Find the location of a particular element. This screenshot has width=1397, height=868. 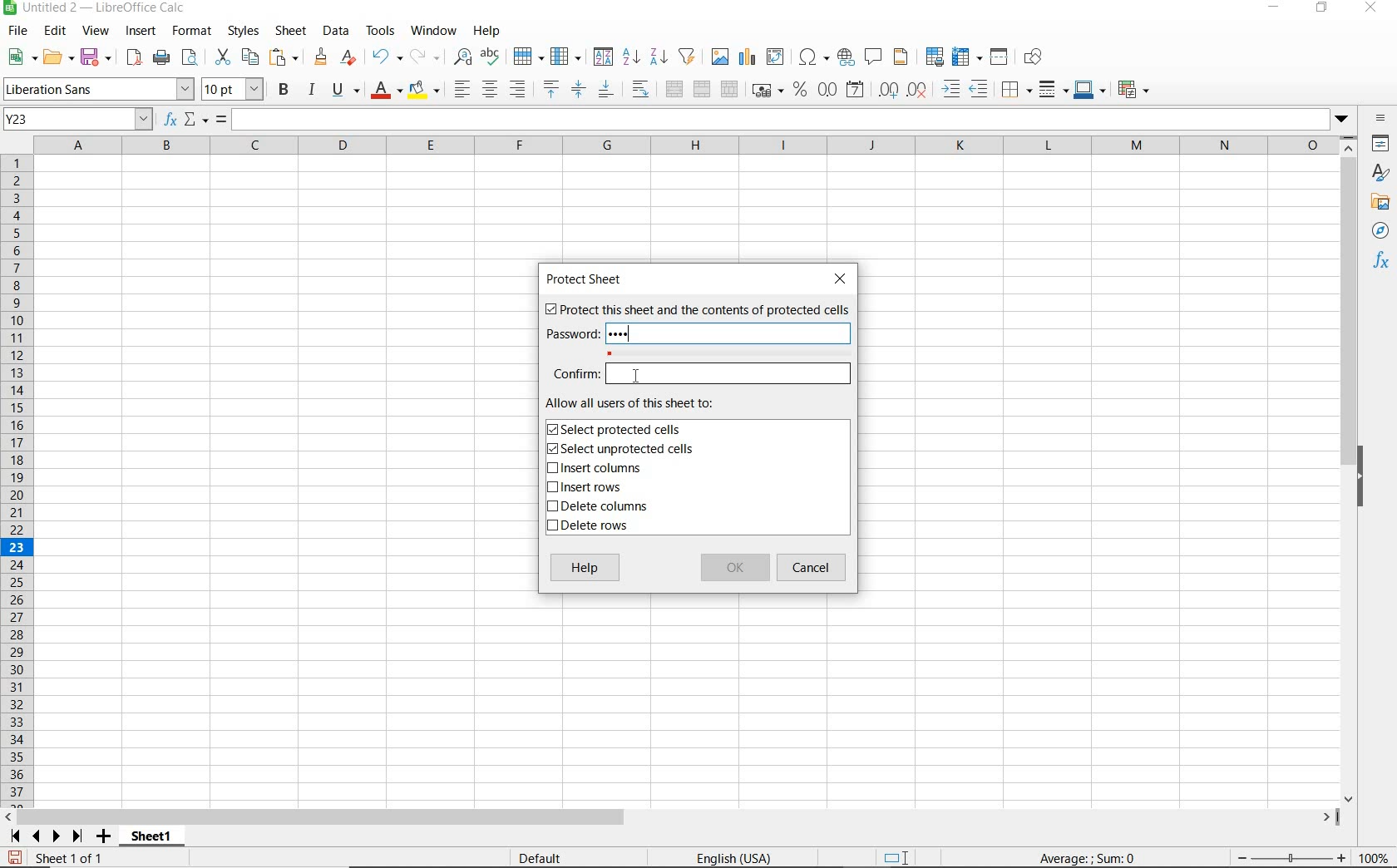

OK is located at coordinates (734, 569).